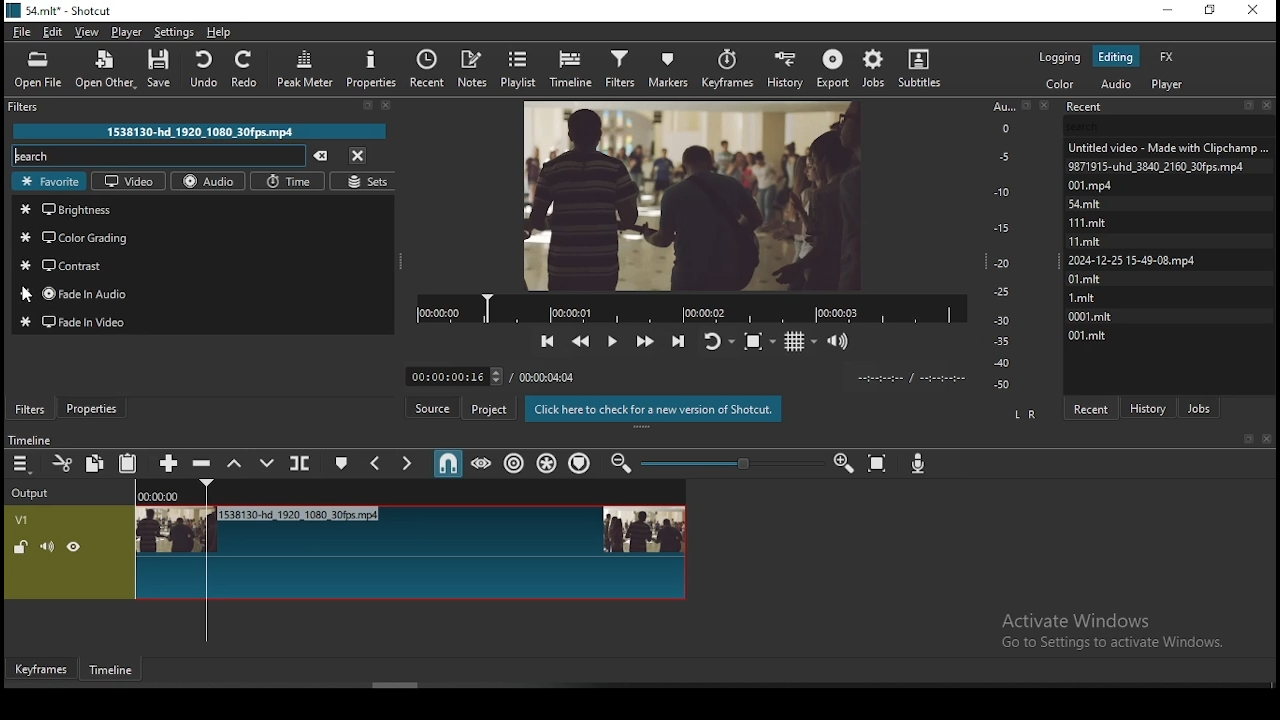 This screenshot has width=1280, height=720. What do you see at coordinates (800, 341) in the screenshot?
I see `toggle grid display on the player` at bounding box center [800, 341].